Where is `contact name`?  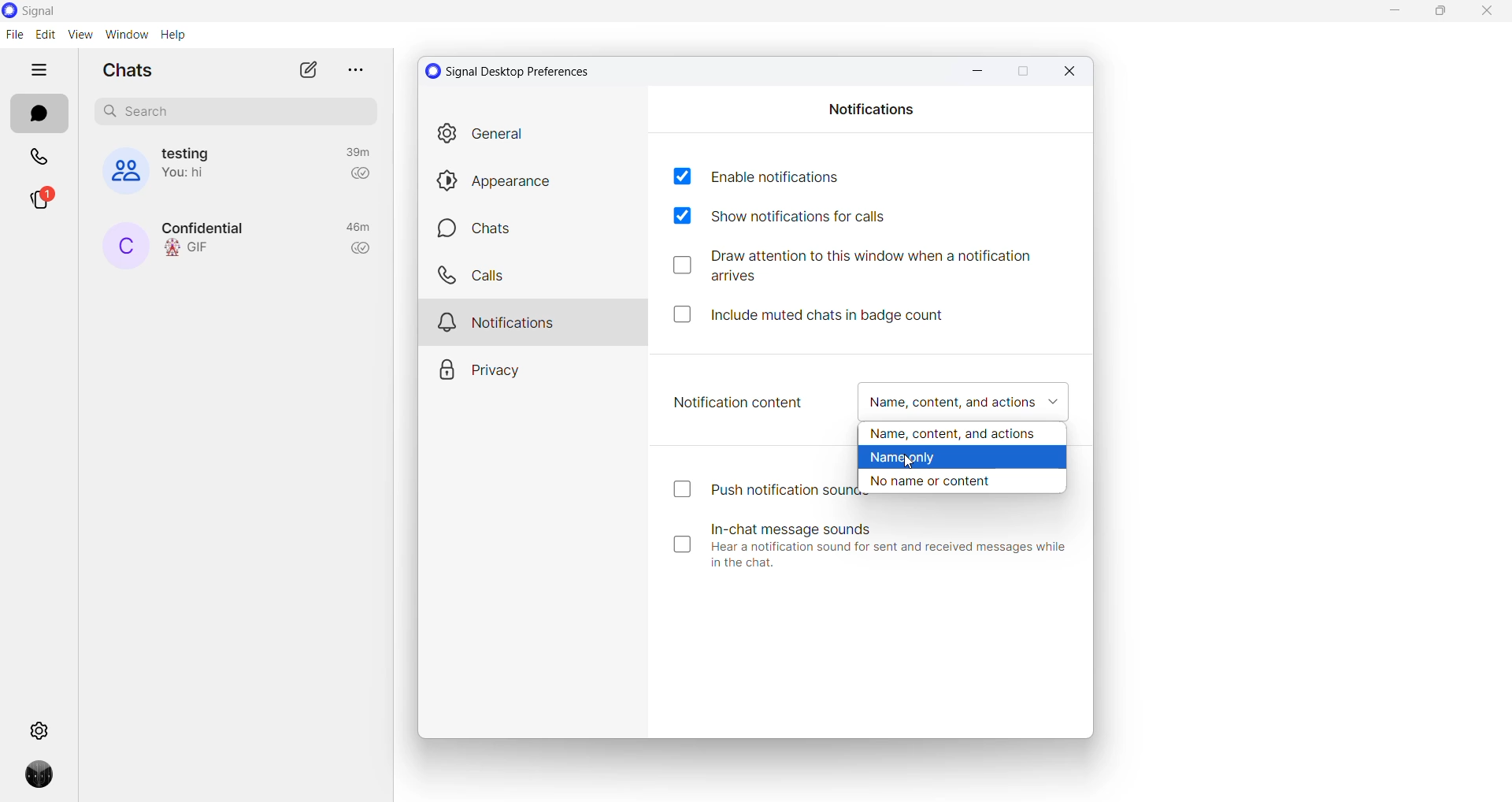
contact name is located at coordinates (210, 227).